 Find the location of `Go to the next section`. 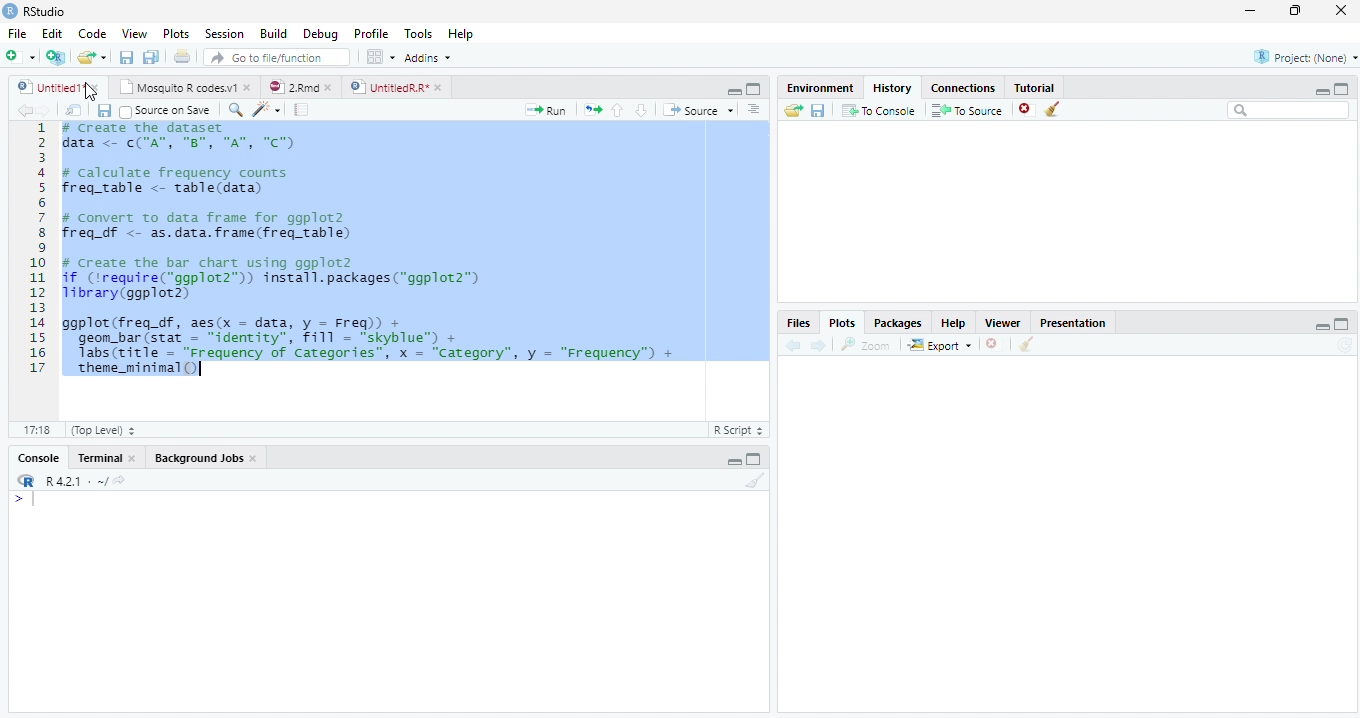

Go to the next section is located at coordinates (641, 110).